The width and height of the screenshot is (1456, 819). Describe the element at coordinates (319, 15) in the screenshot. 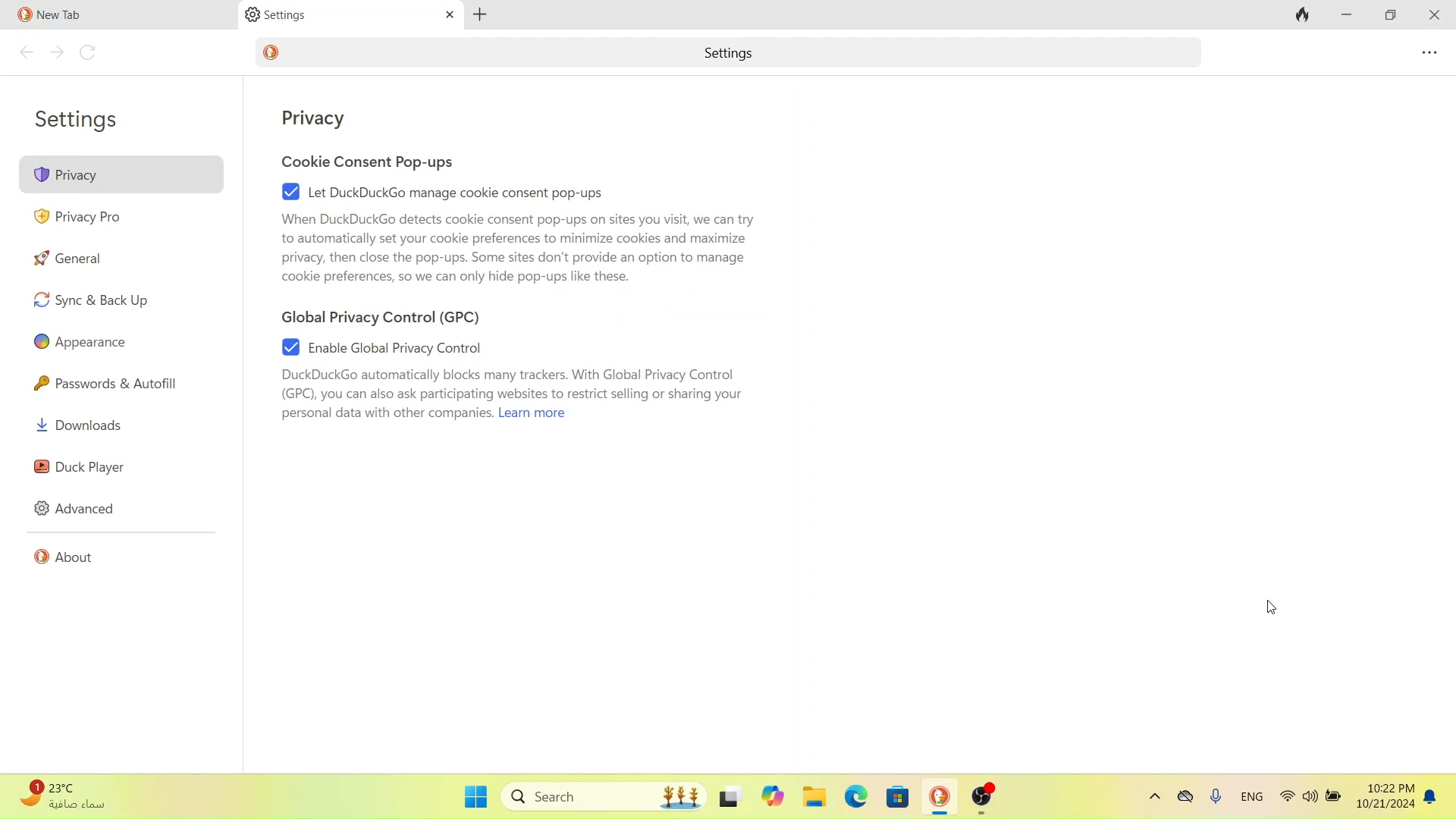

I see `settings tab` at that location.